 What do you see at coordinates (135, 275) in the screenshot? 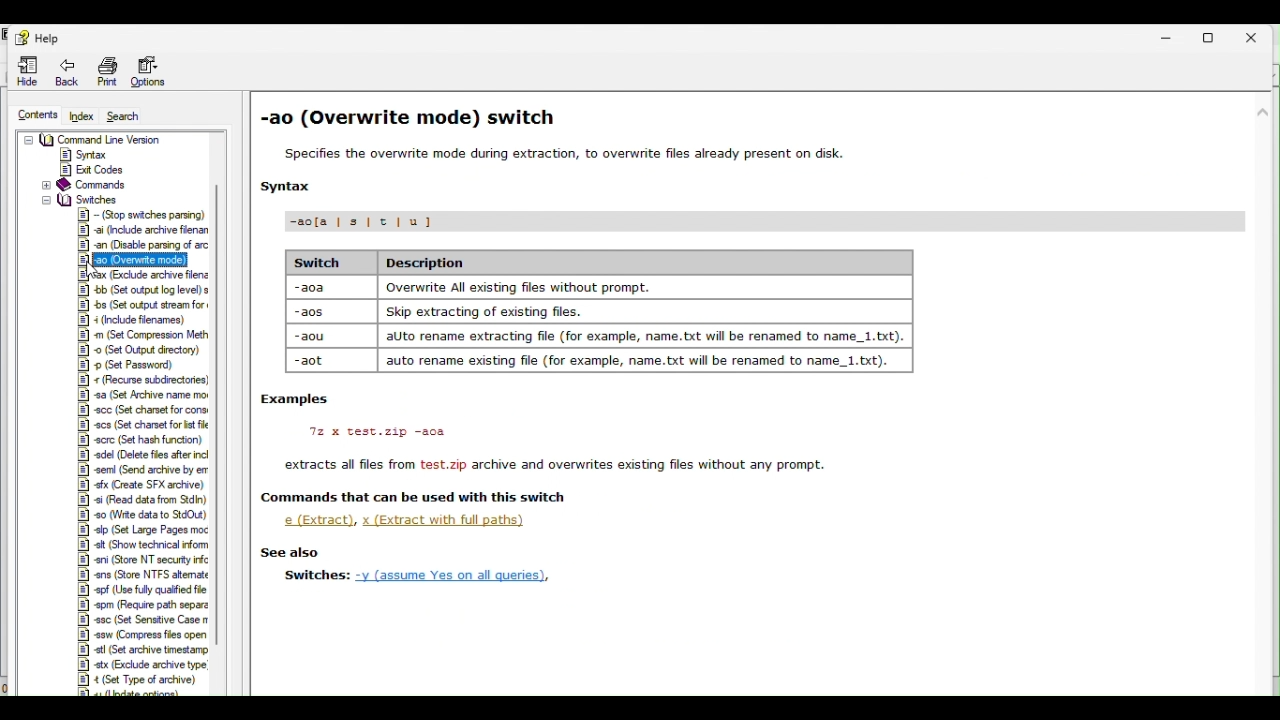
I see `eFax [Exclude archive flens |` at bounding box center [135, 275].